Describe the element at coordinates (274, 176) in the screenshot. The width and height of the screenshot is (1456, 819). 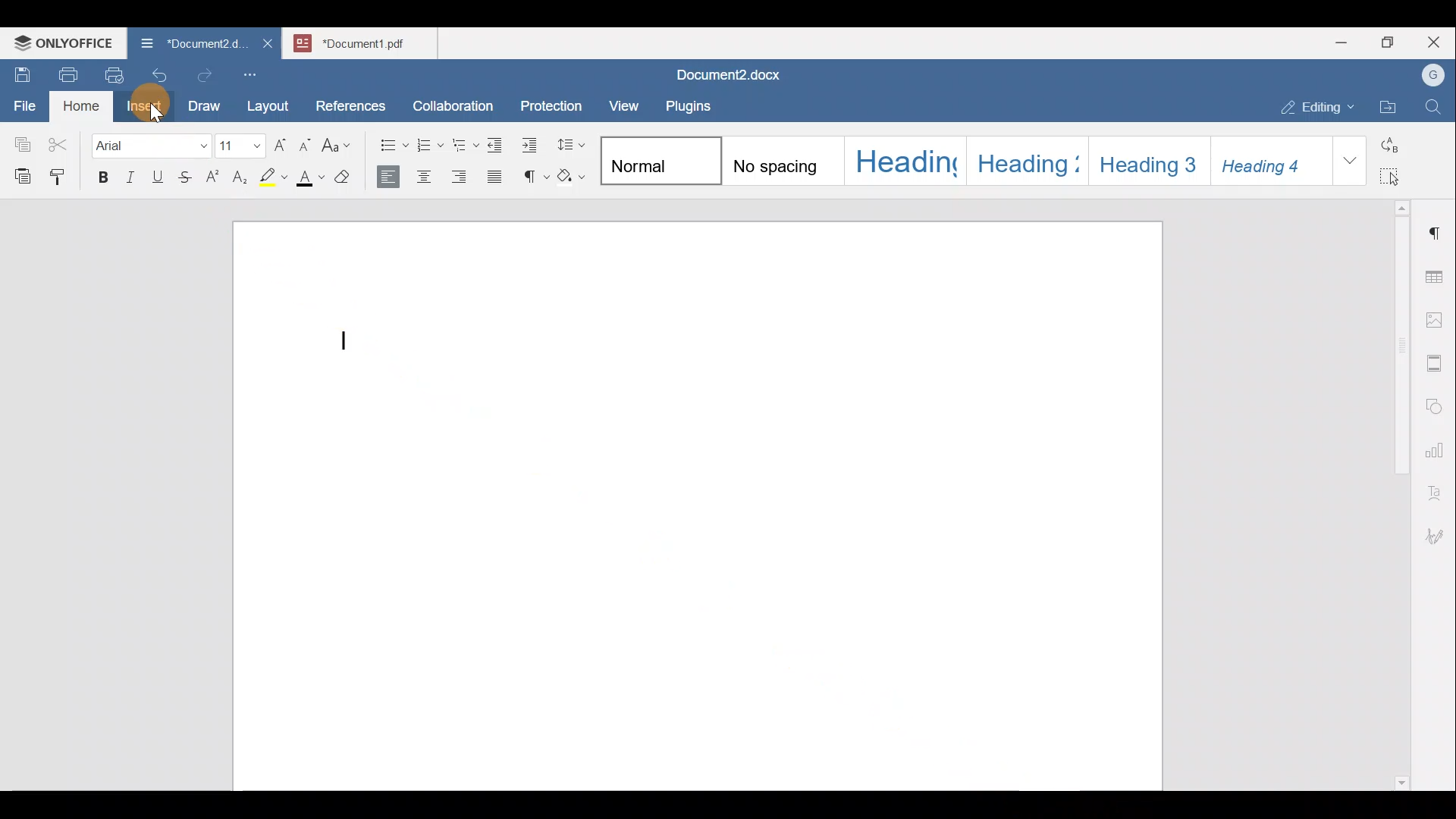
I see `Highlight color` at that location.